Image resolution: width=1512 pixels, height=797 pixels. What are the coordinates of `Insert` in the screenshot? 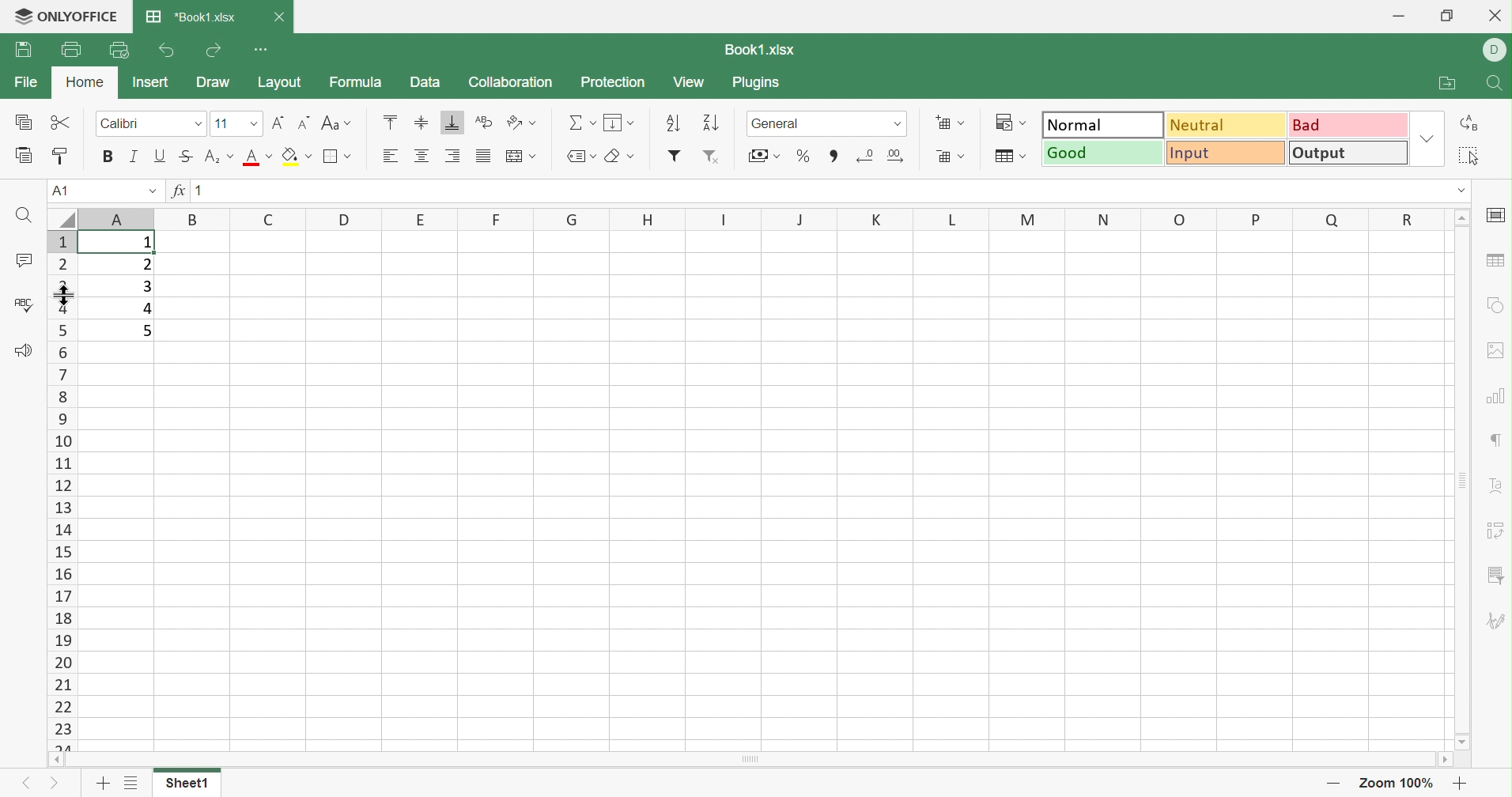 It's located at (151, 82).